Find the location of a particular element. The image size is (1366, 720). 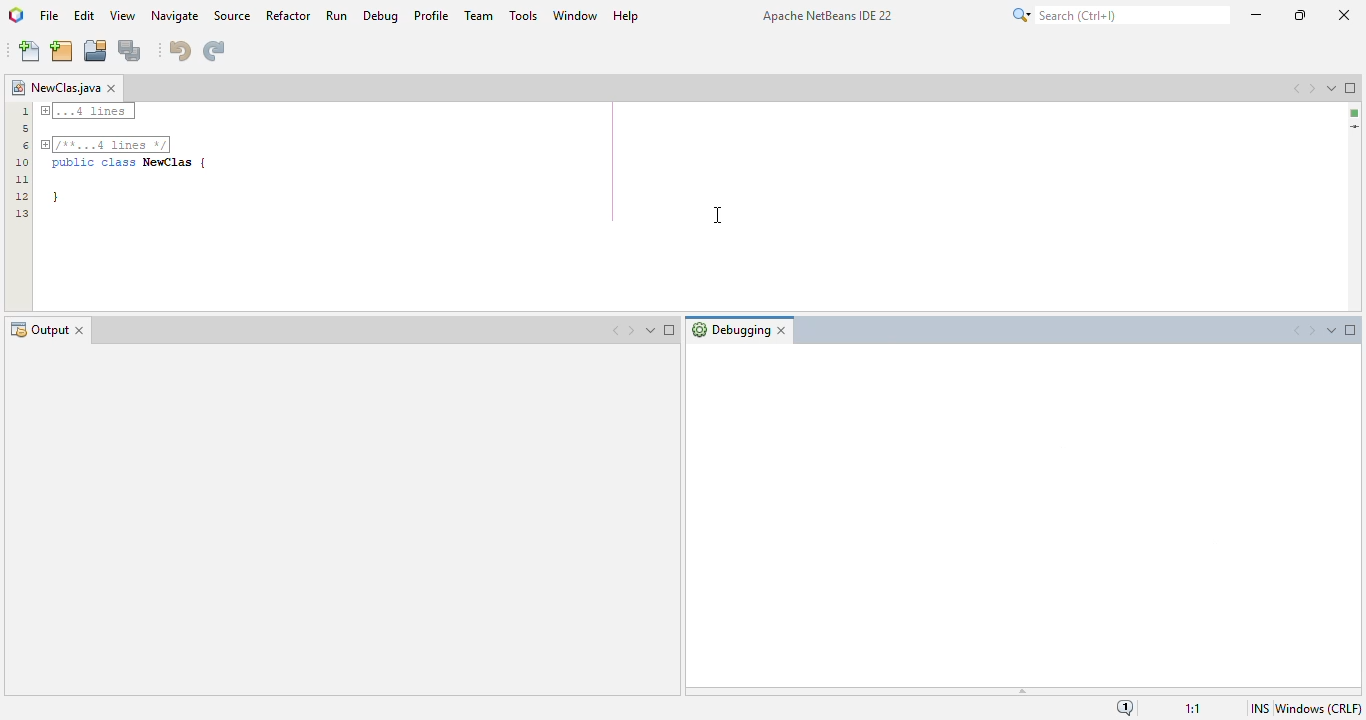

Line numbers is located at coordinates (16, 159).